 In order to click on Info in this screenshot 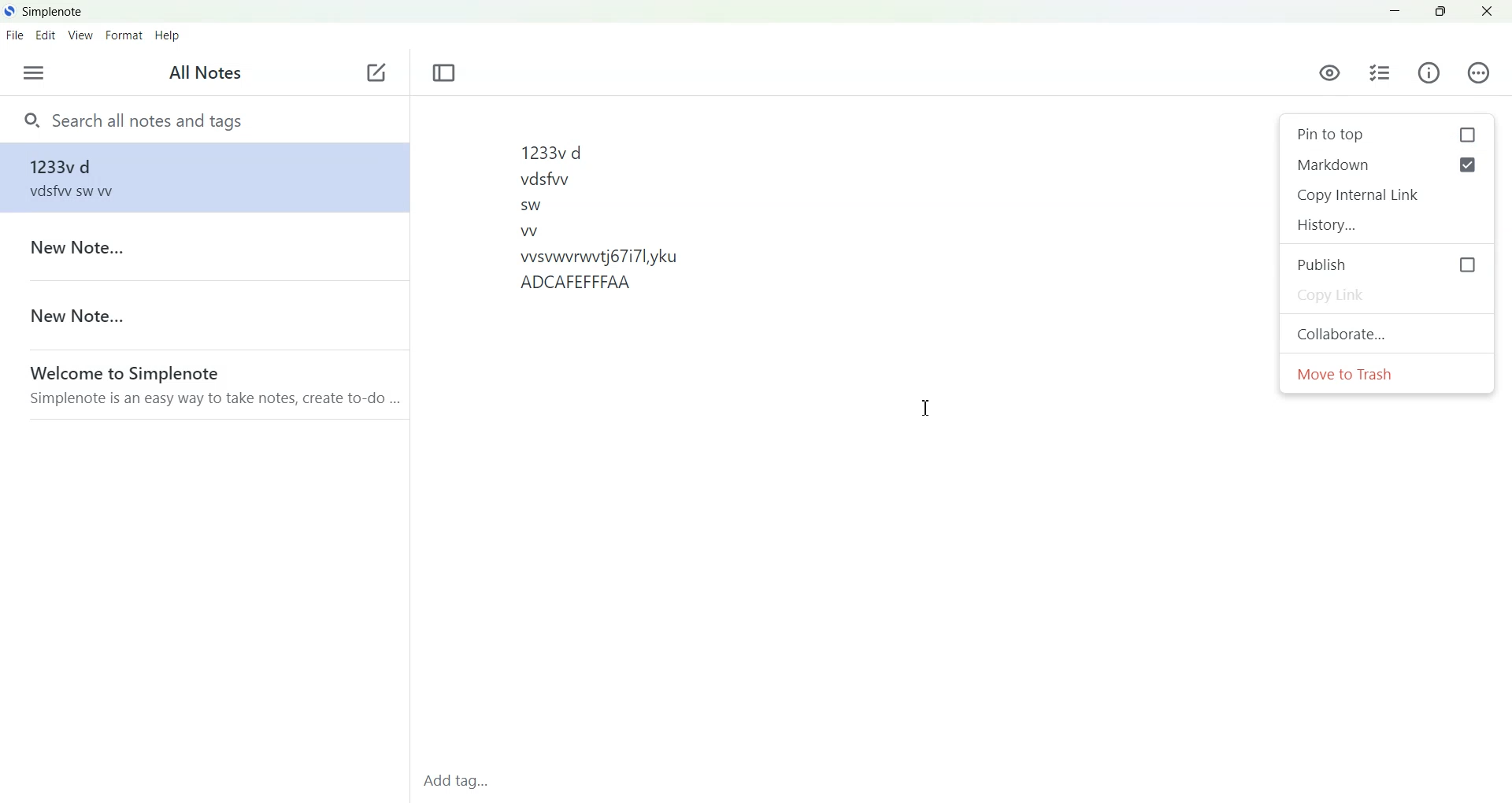, I will do `click(1429, 73)`.